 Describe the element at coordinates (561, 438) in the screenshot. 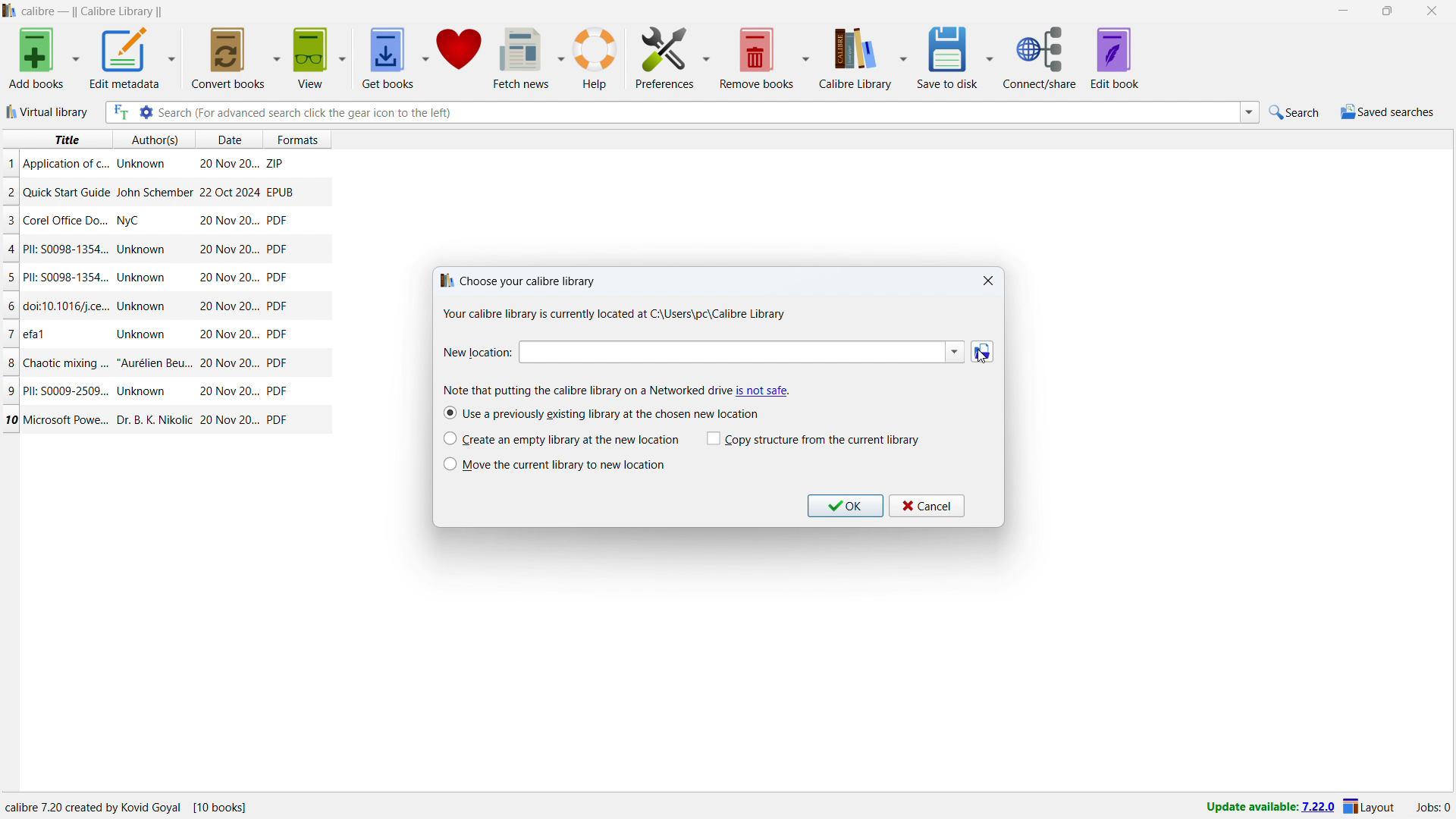

I see `create an empty library at the new location` at that location.